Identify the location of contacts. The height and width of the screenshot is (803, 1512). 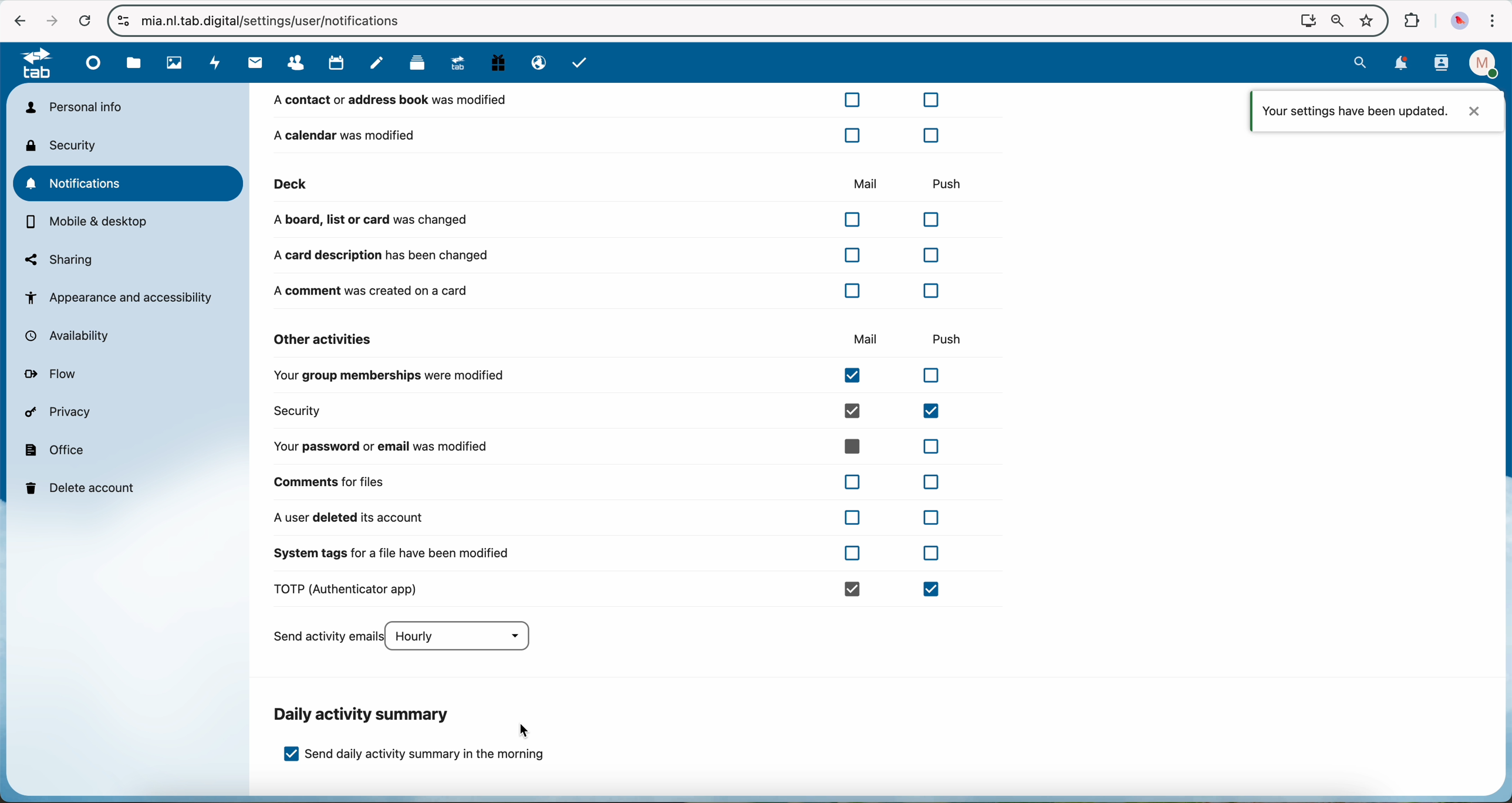
(1441, 64).